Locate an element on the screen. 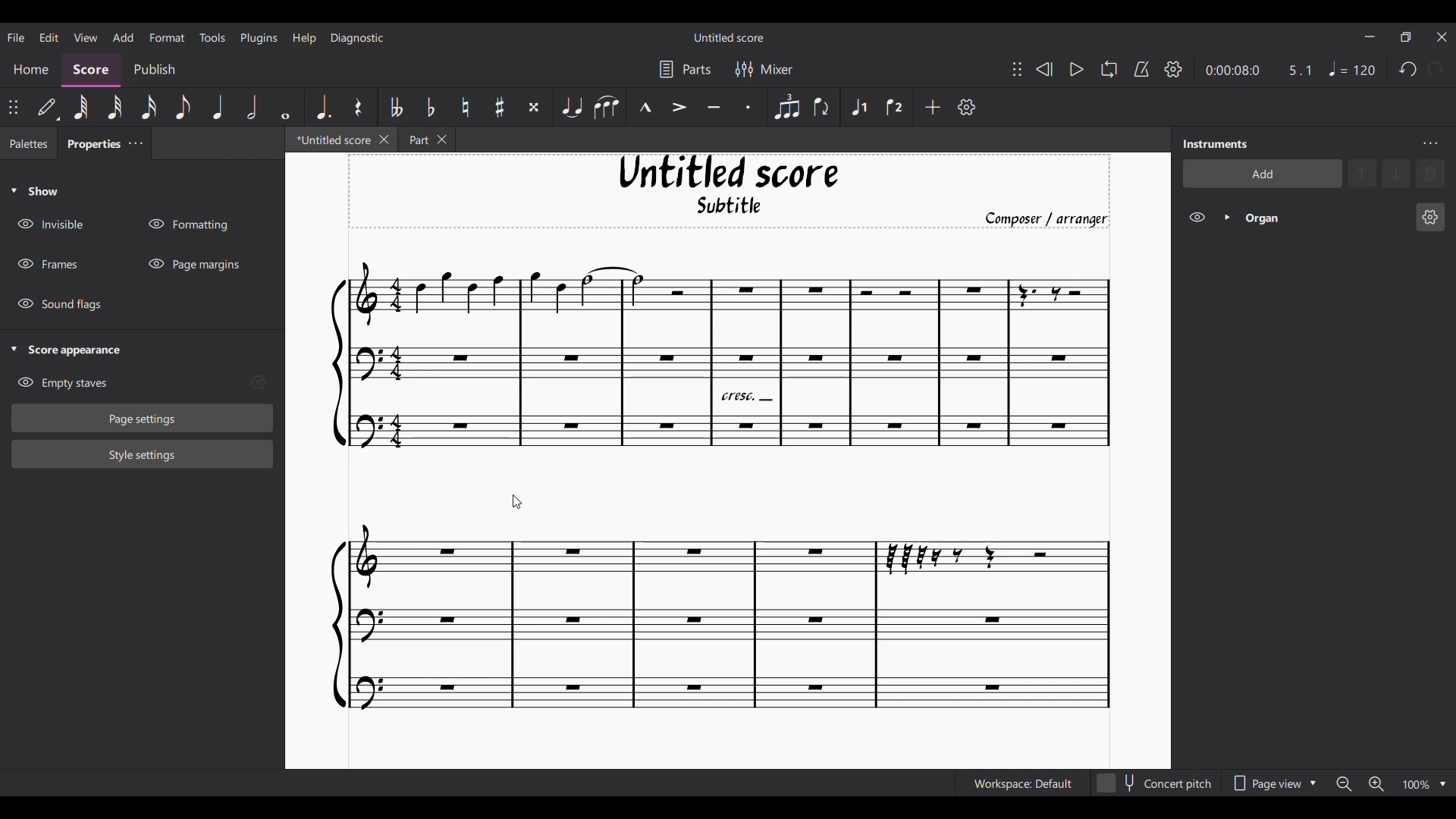 The image size is (1456, 819). Collapse Show is located at coordinates (34, 191).